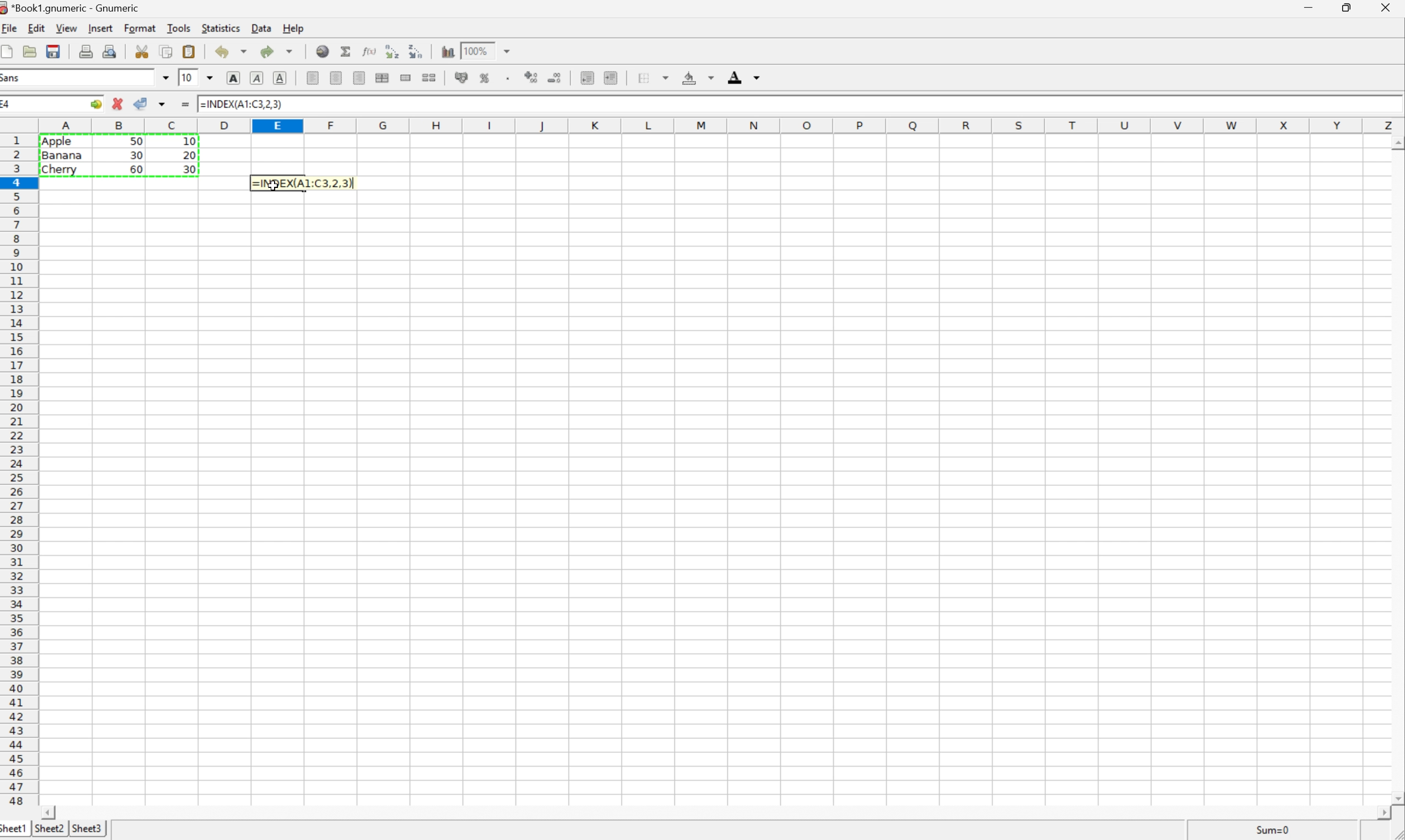  I want to click on edit, so click(36, 28).